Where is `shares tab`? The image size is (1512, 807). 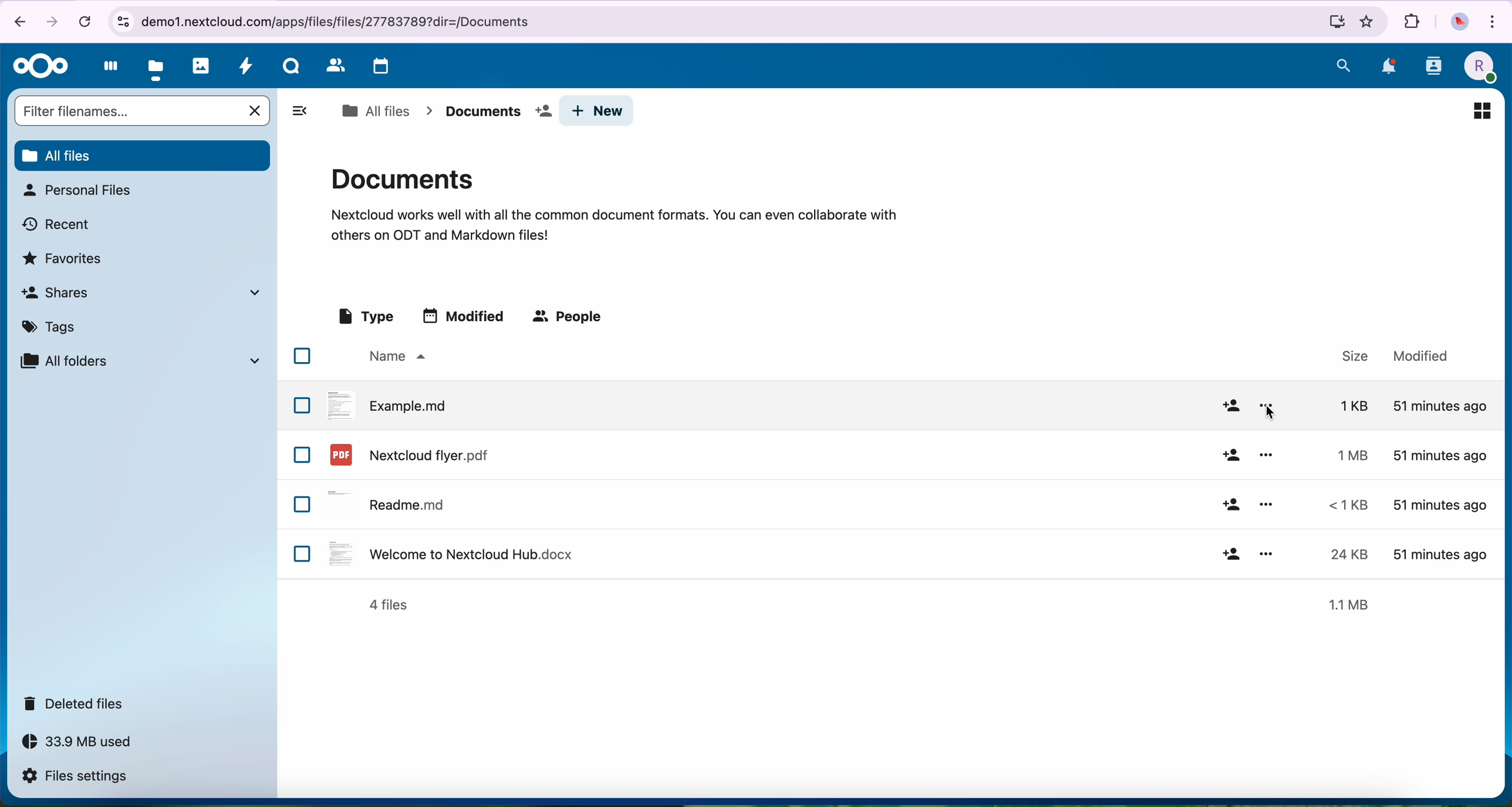
shares tab is located at coordinates (146, 292).